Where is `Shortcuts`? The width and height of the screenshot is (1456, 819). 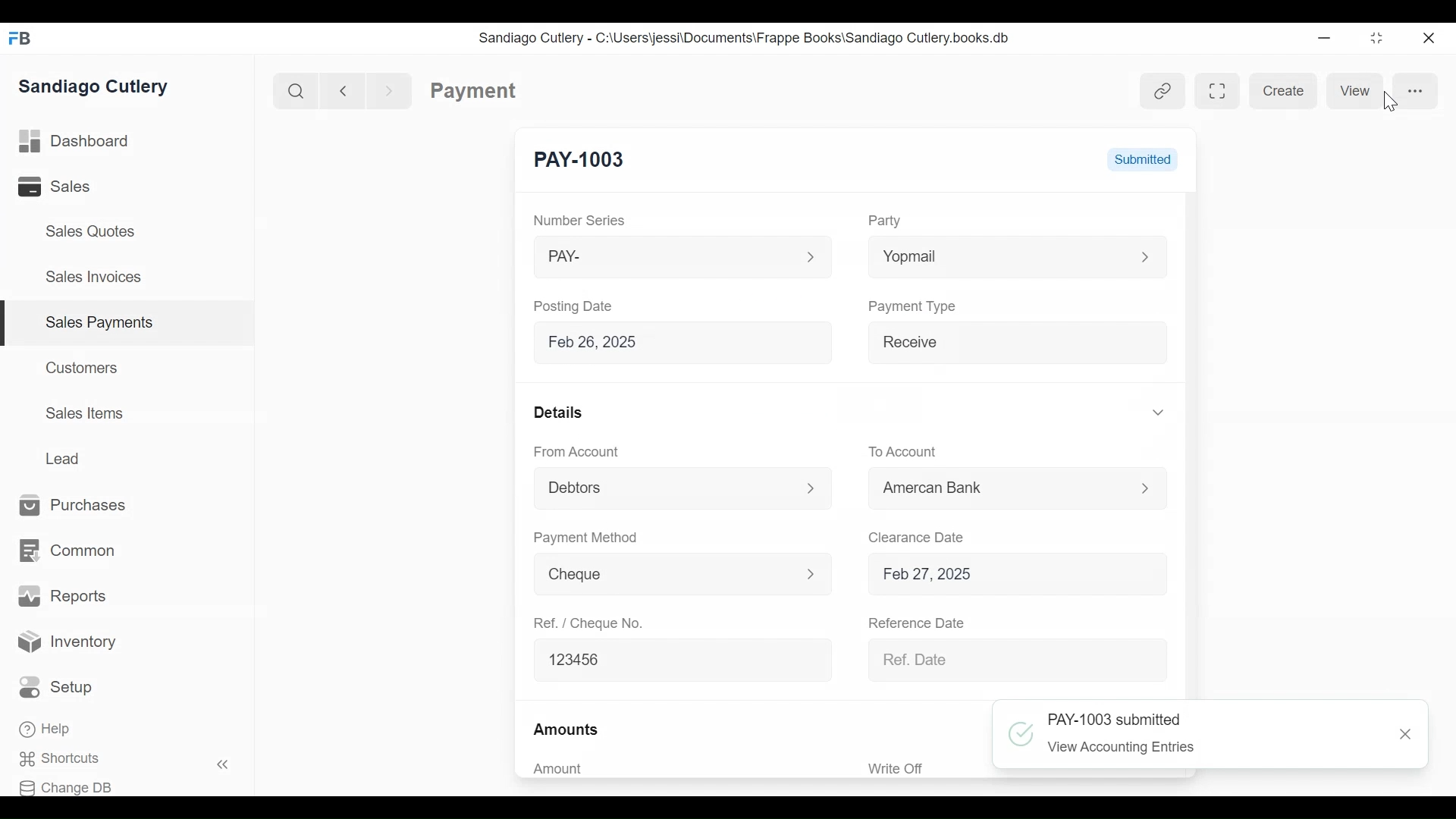 Shortcuts is located at coordinates (69, 759).